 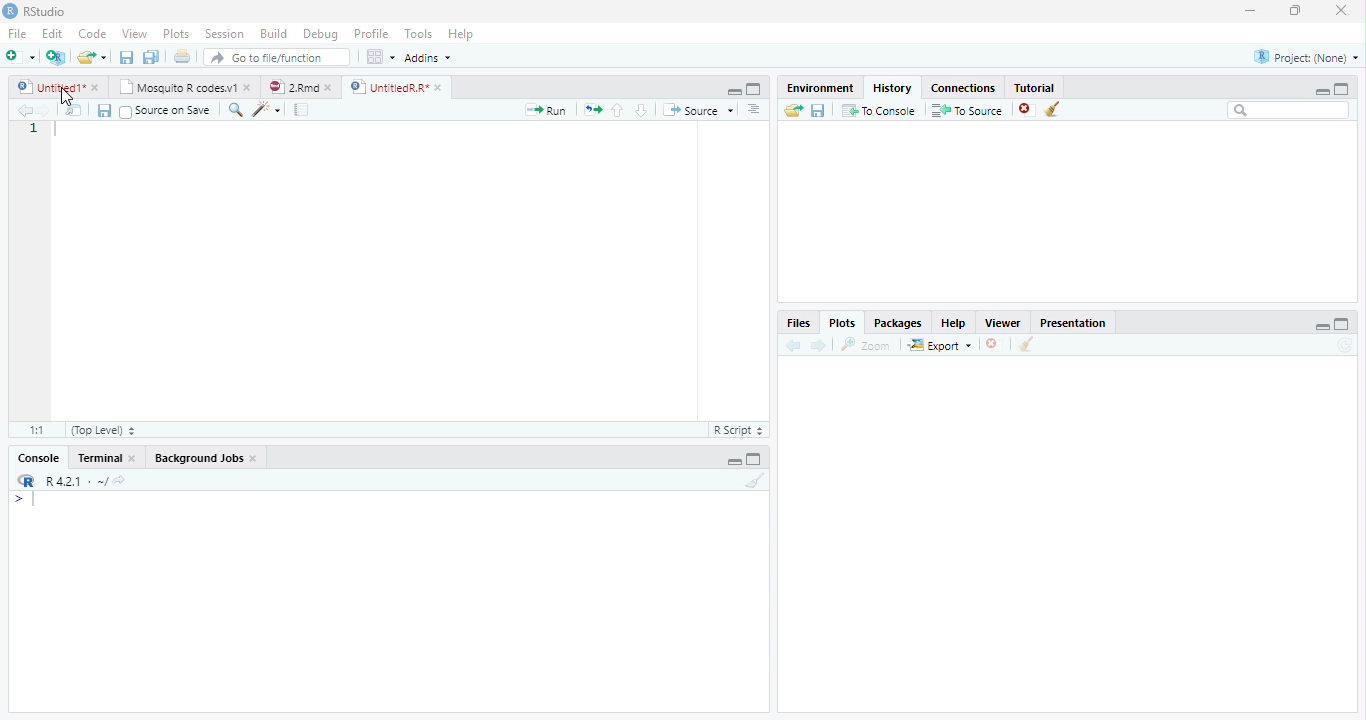 I want to click on > , so click(x=20, y=498).